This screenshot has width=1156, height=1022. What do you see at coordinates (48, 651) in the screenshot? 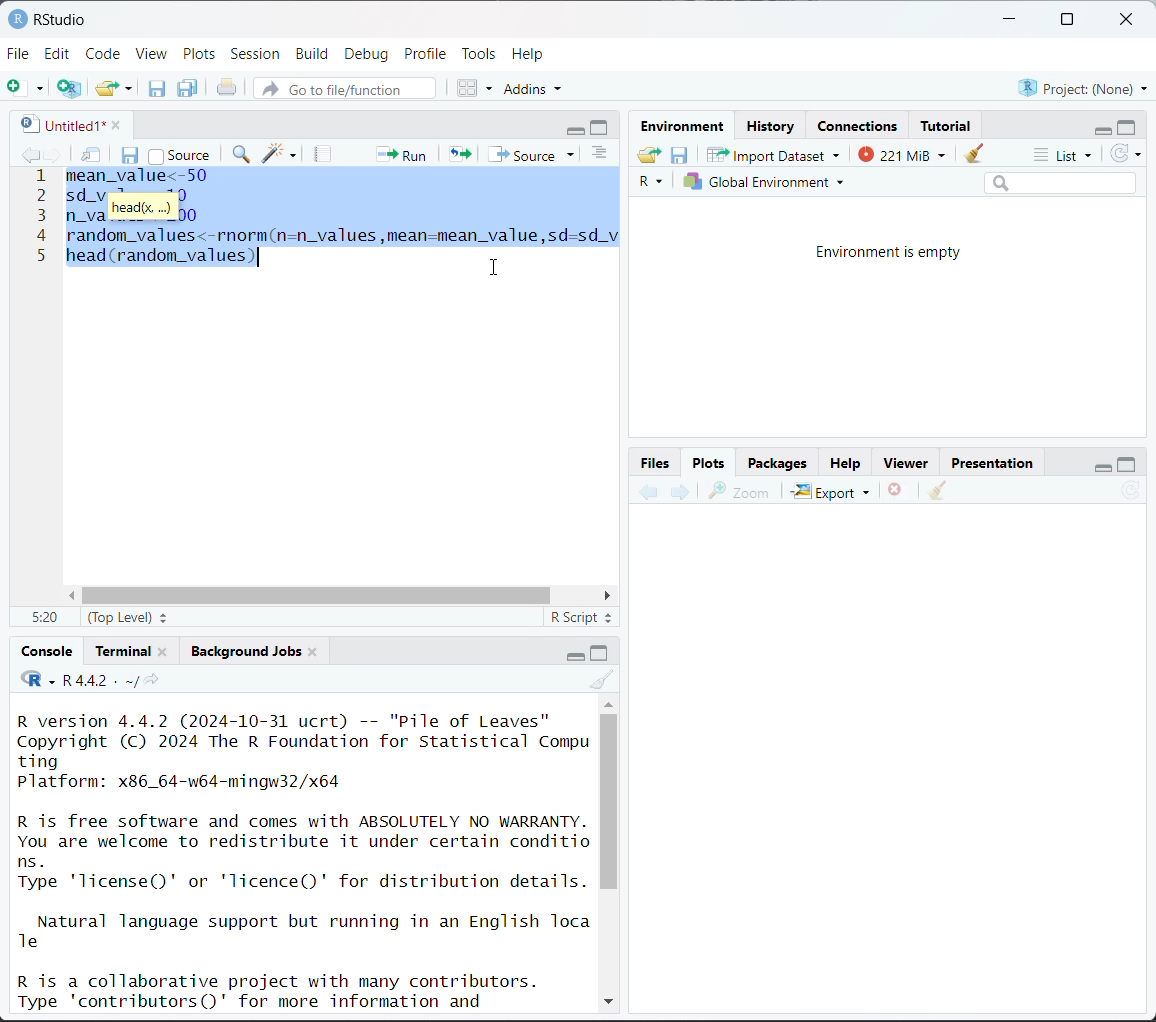
I see `Console` at bounding box center [48, 651].